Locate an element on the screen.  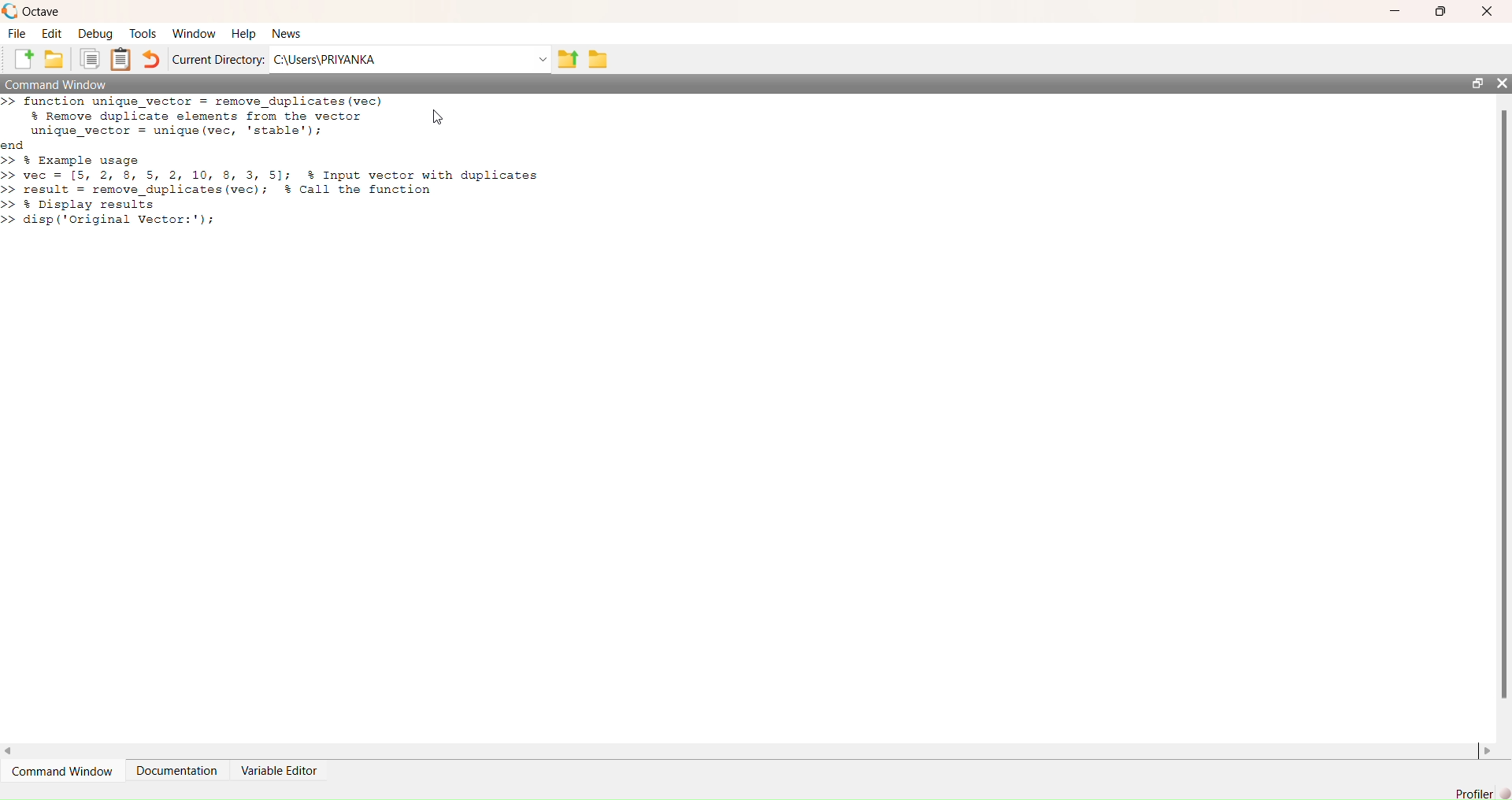
Profiler is located at coordinates (1483, 793).